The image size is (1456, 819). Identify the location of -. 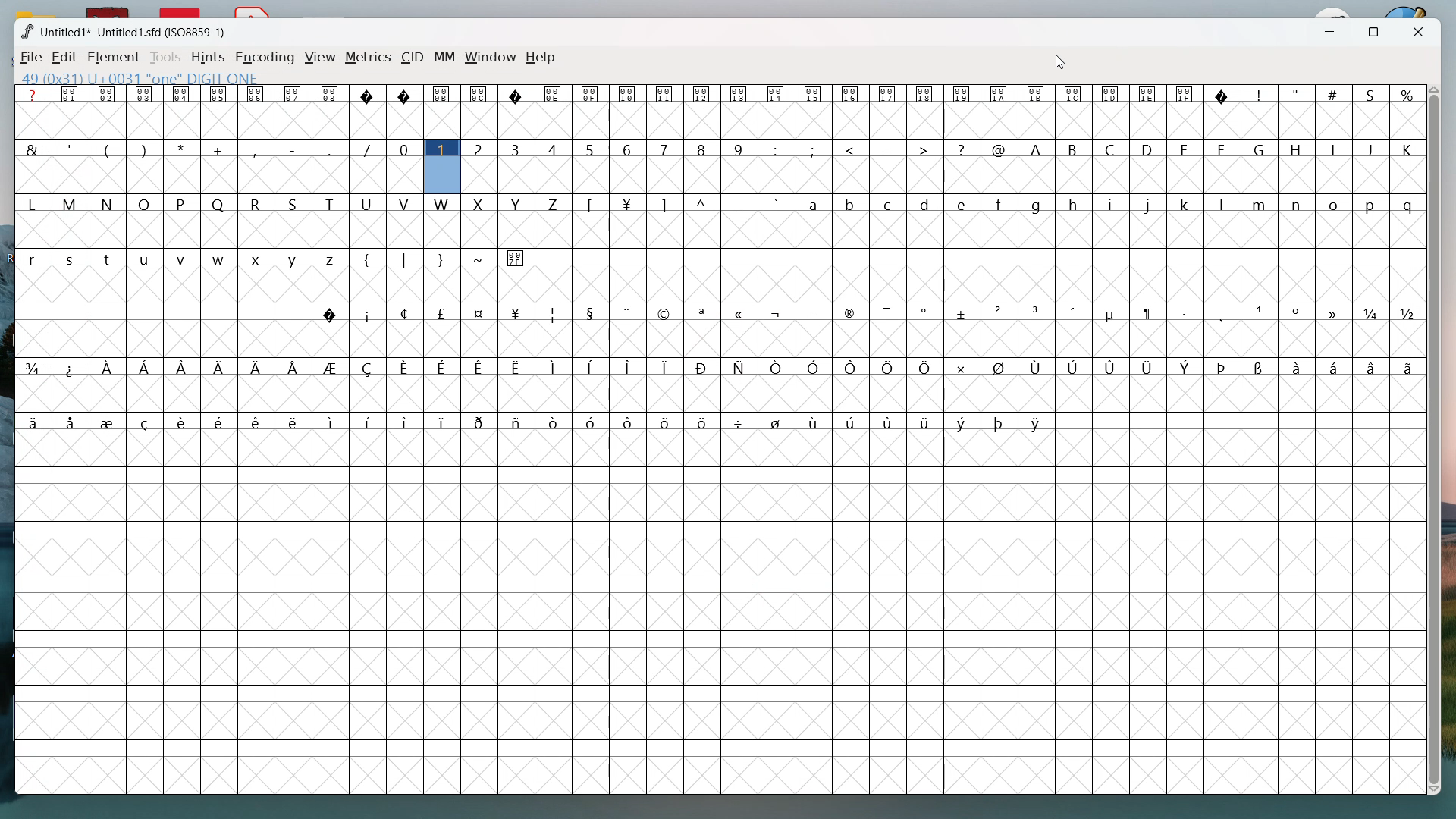
(295, 147).